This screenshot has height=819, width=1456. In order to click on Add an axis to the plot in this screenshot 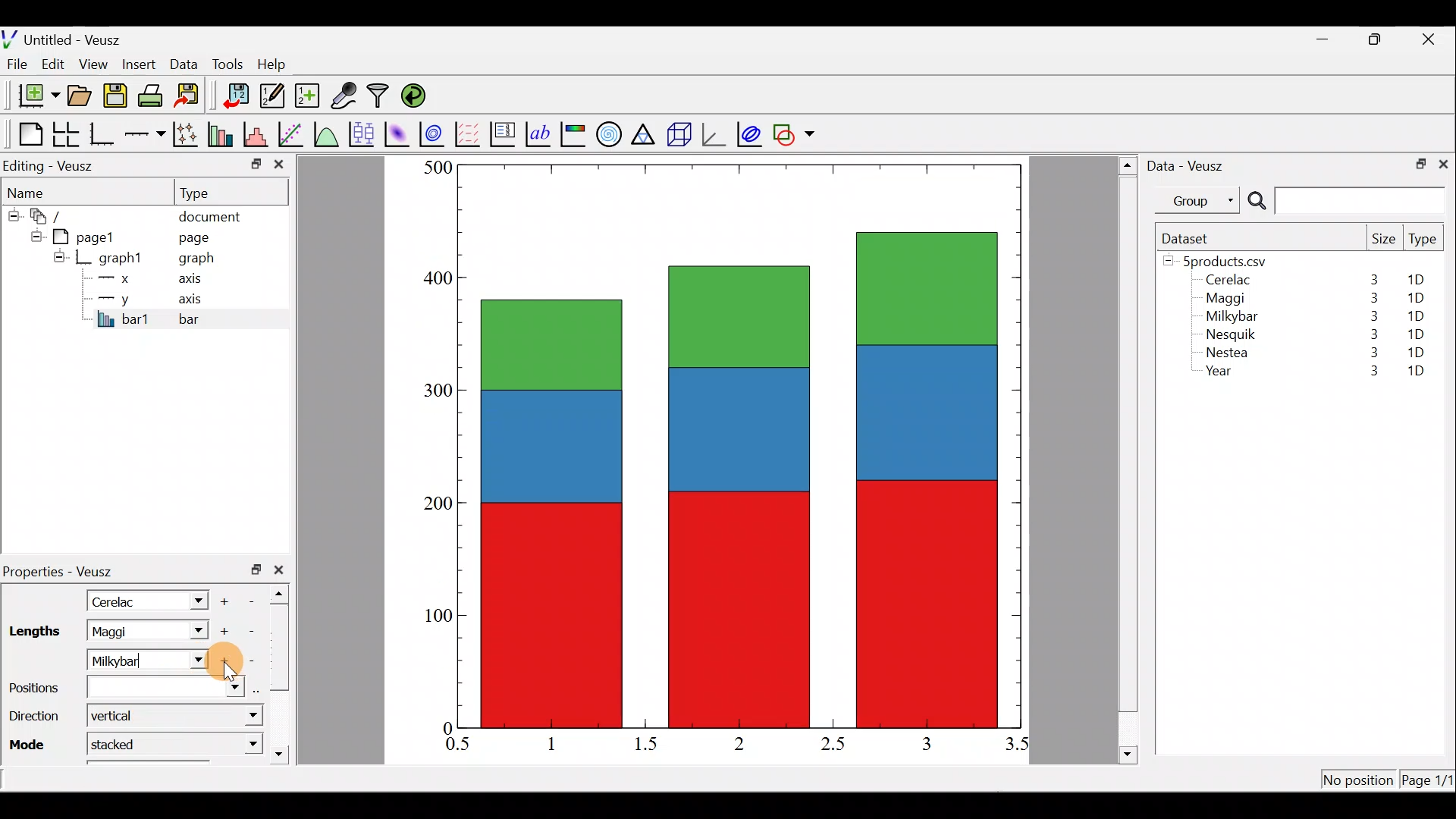, I will do `click(148, 134)`.